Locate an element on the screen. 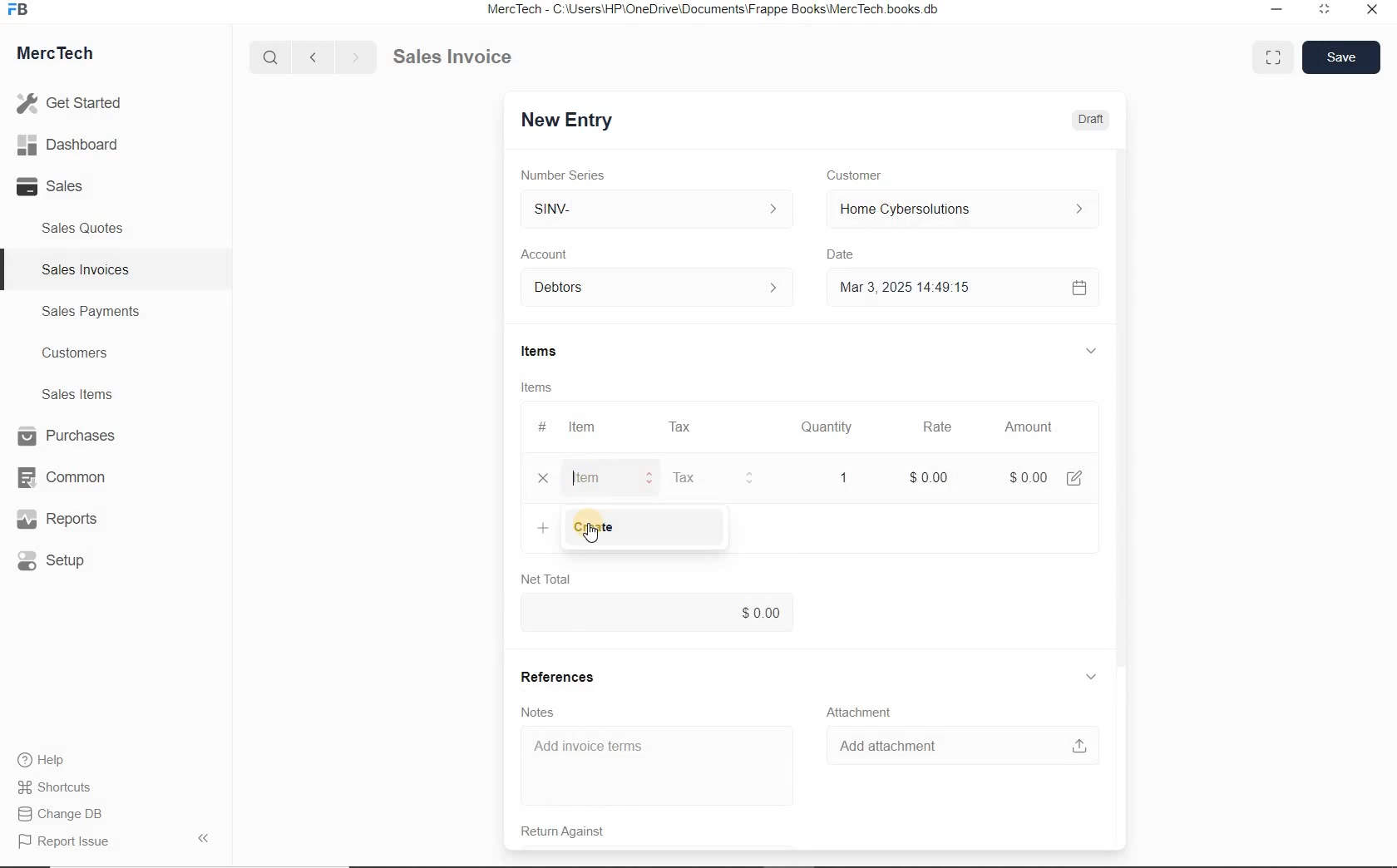  Sales Invoice is located at coordinates (454, 58).